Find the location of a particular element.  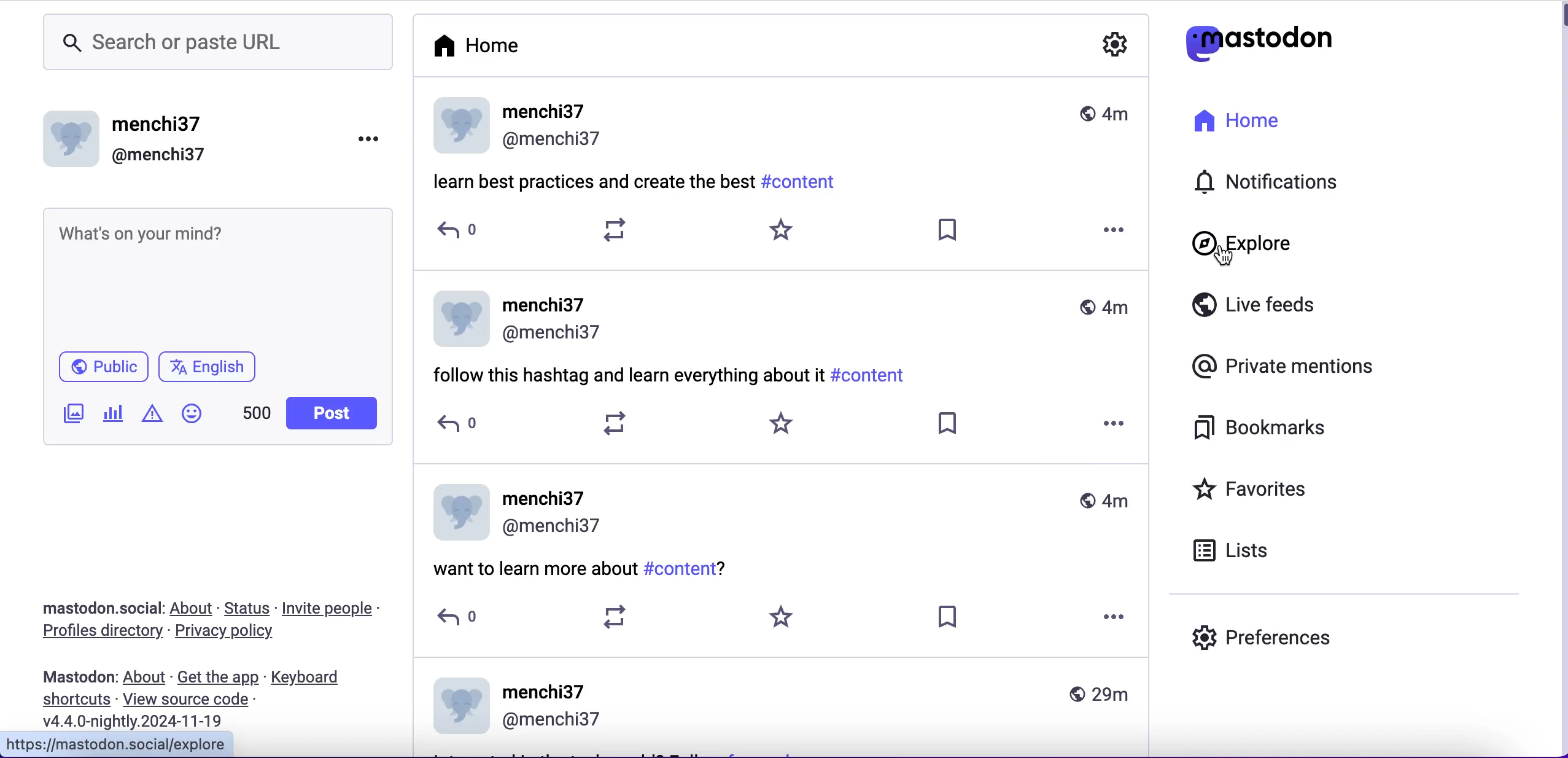

post is located at coordinates (332, 413).